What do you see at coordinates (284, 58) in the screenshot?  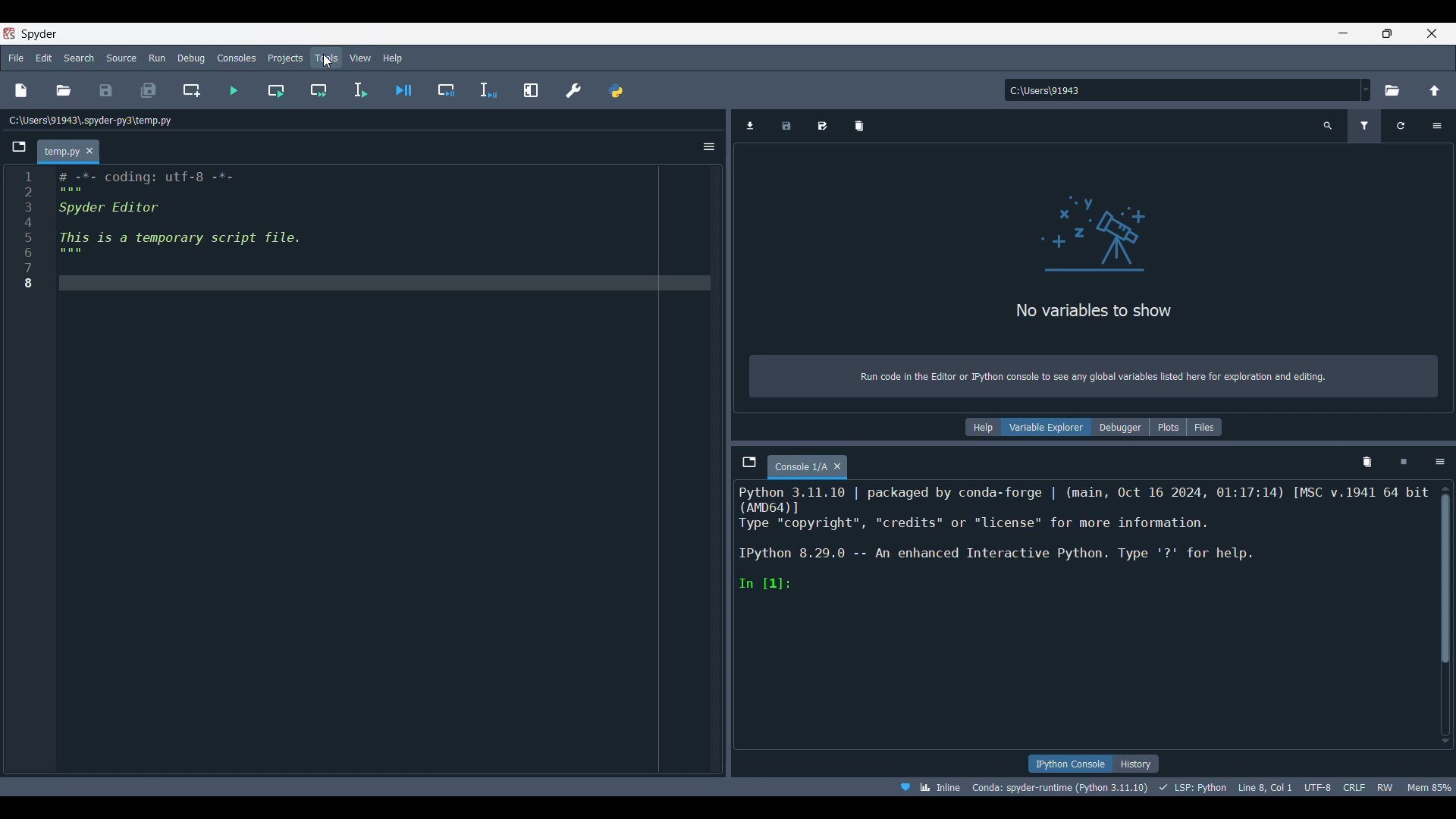 I see `Projects menu` at bounding box center [284, 58].